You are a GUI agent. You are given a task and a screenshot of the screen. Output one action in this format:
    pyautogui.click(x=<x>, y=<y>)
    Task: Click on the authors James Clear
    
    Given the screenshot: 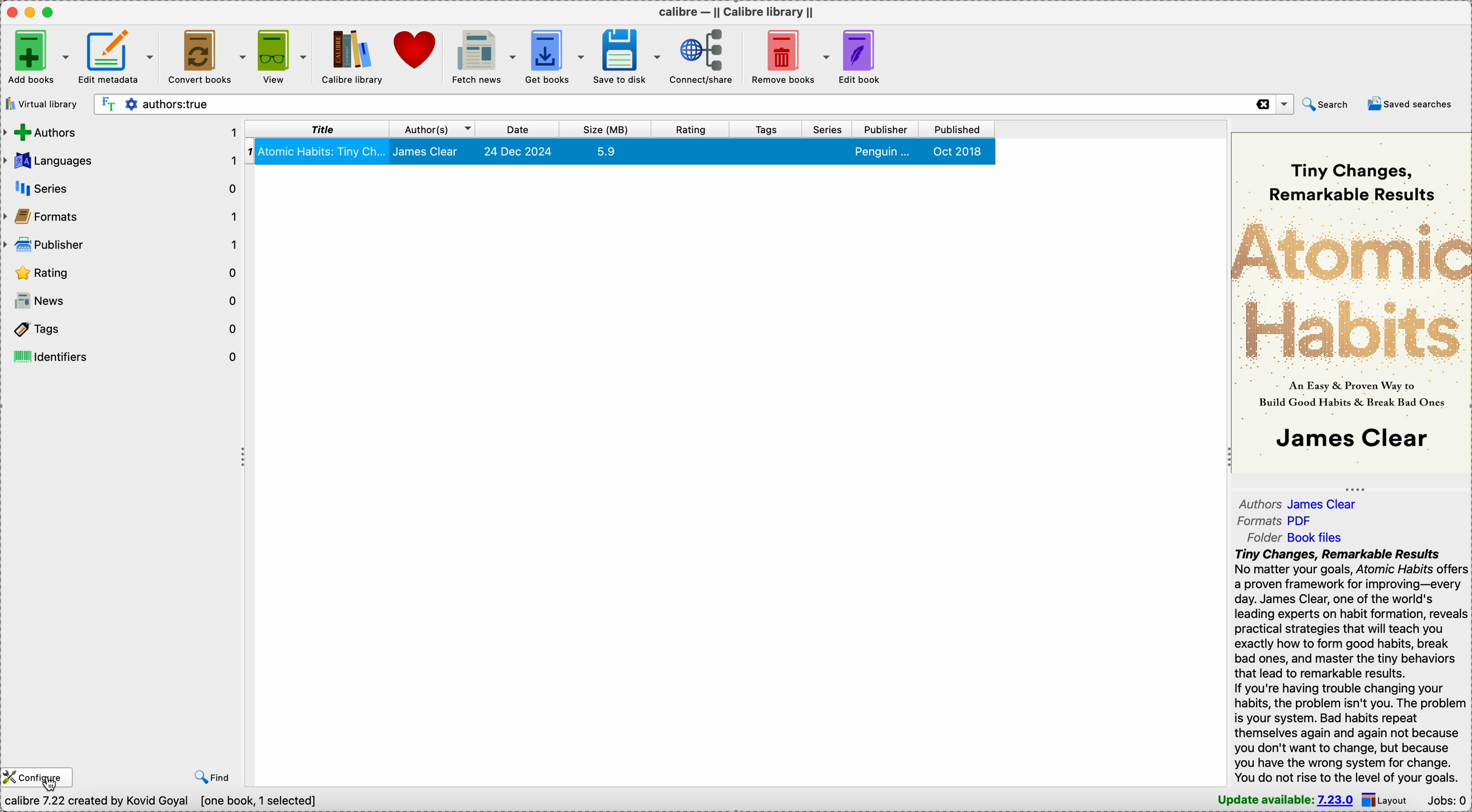 What is the action you would take?
    pyautogui.click(x=1300, y=503)
    